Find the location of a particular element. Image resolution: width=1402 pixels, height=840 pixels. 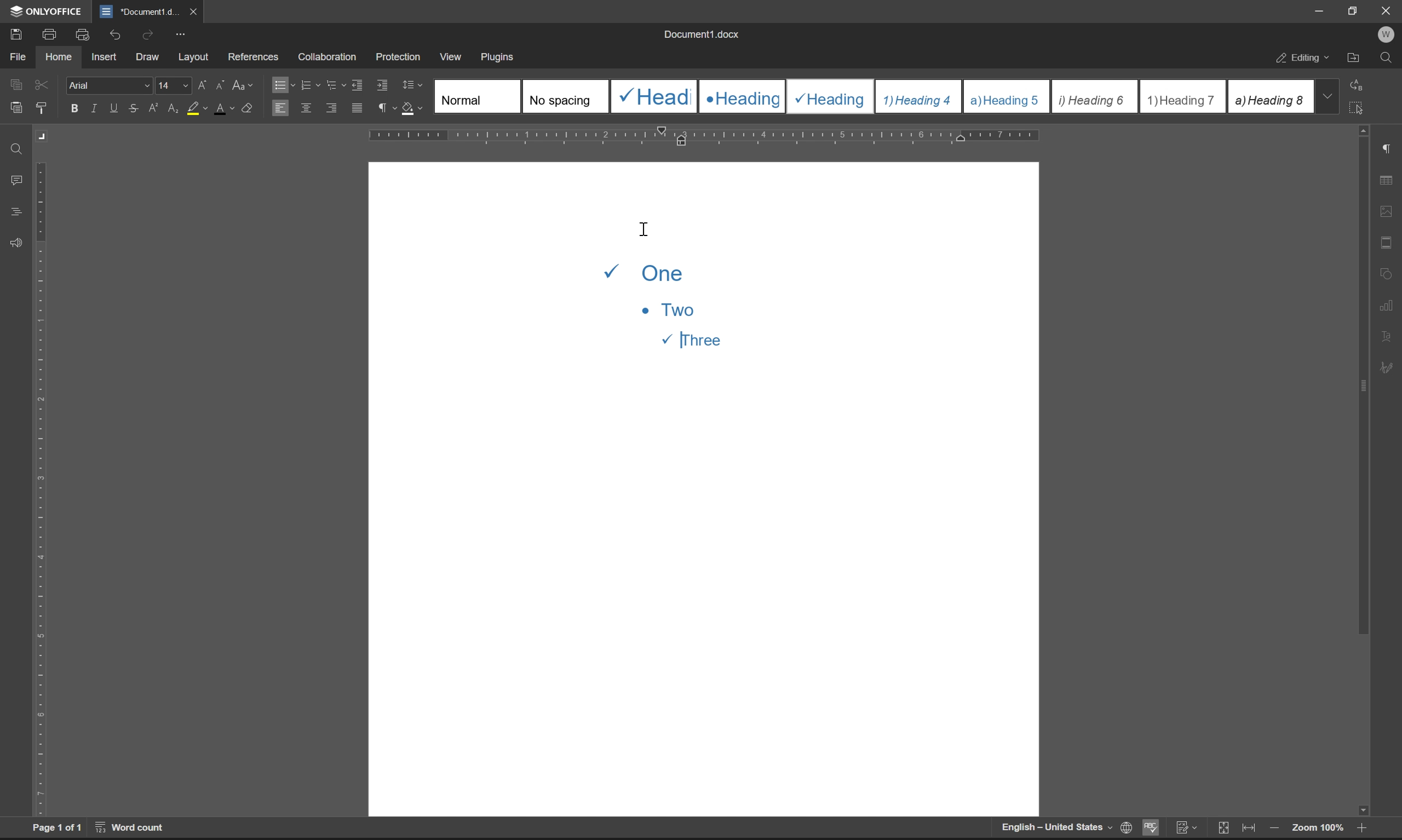

copy style is located at coordinates (41, 109).